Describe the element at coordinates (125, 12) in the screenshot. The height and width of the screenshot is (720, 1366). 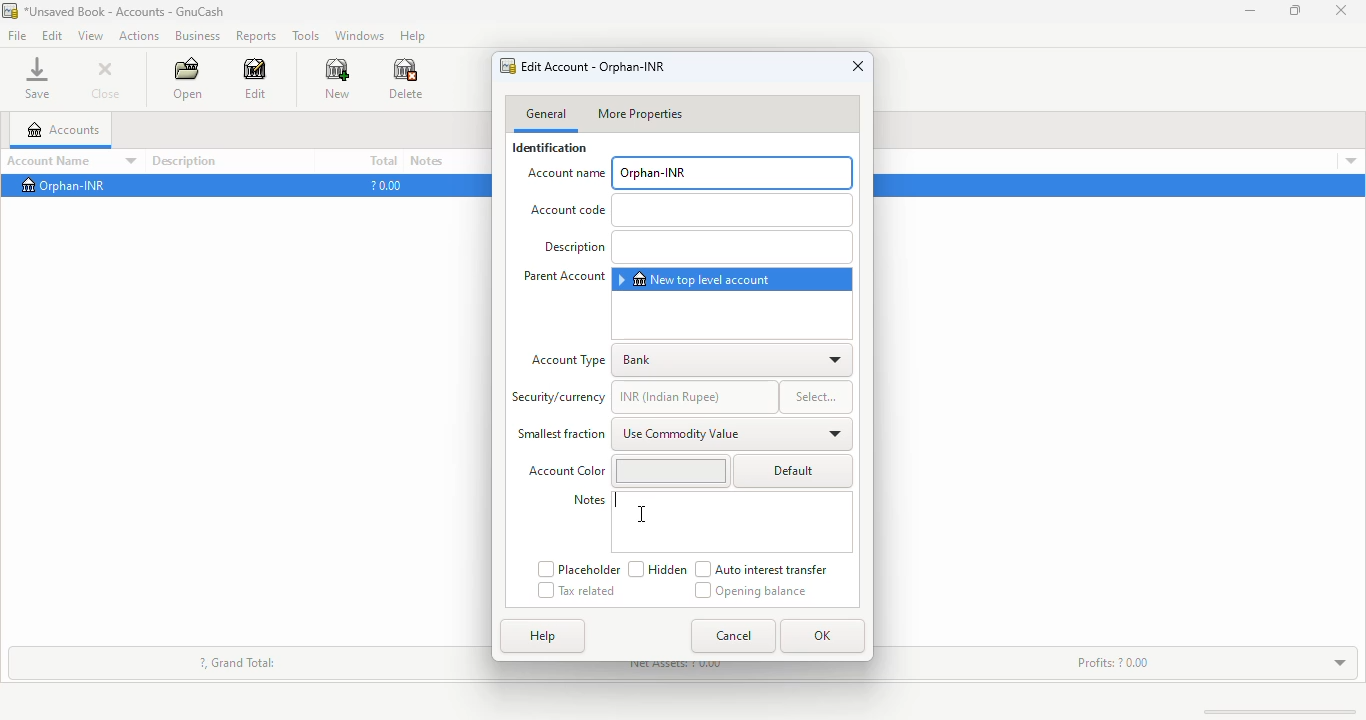
I see `title` at that location.